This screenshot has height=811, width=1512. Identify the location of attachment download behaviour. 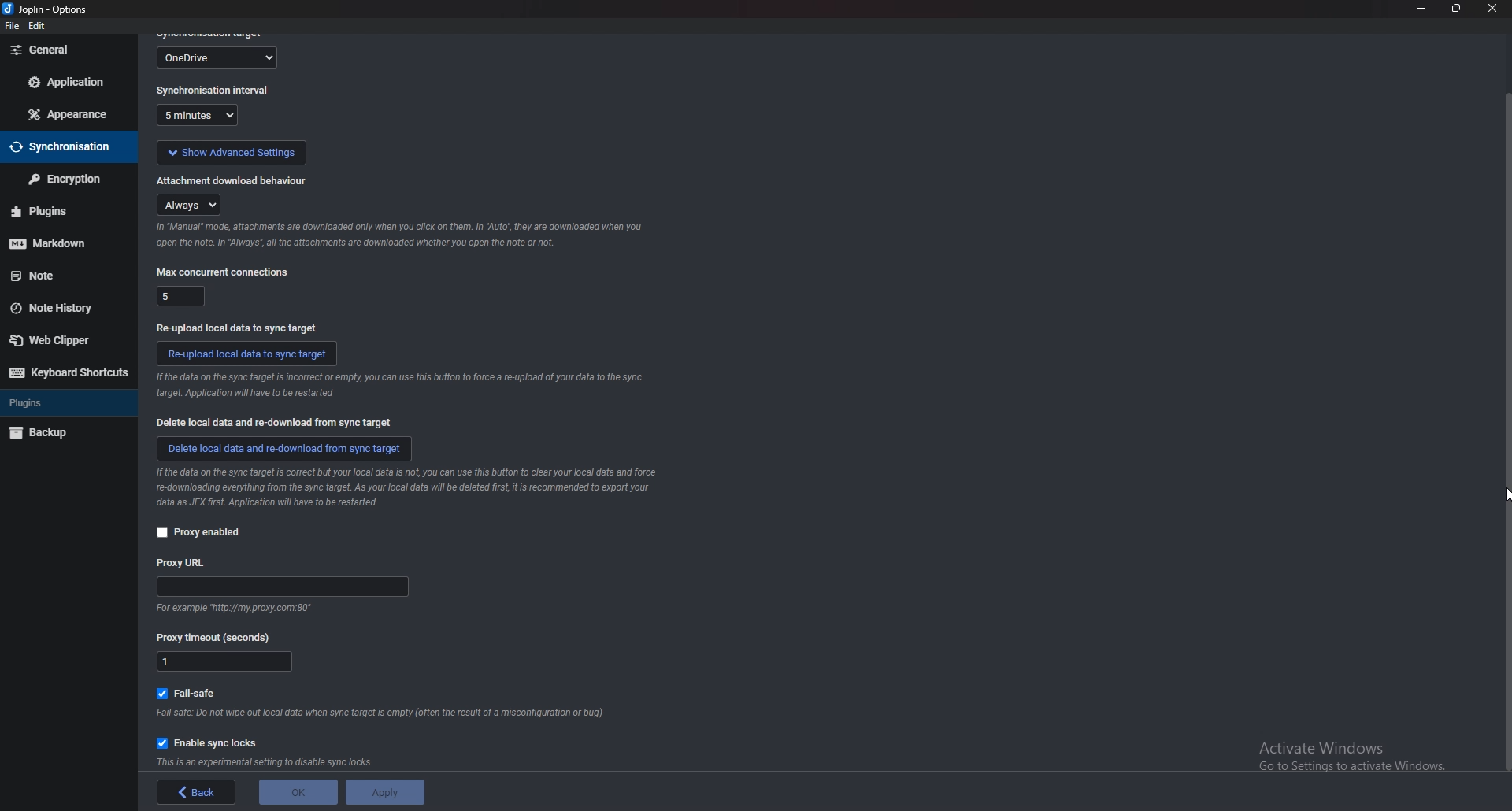
(233, 179).